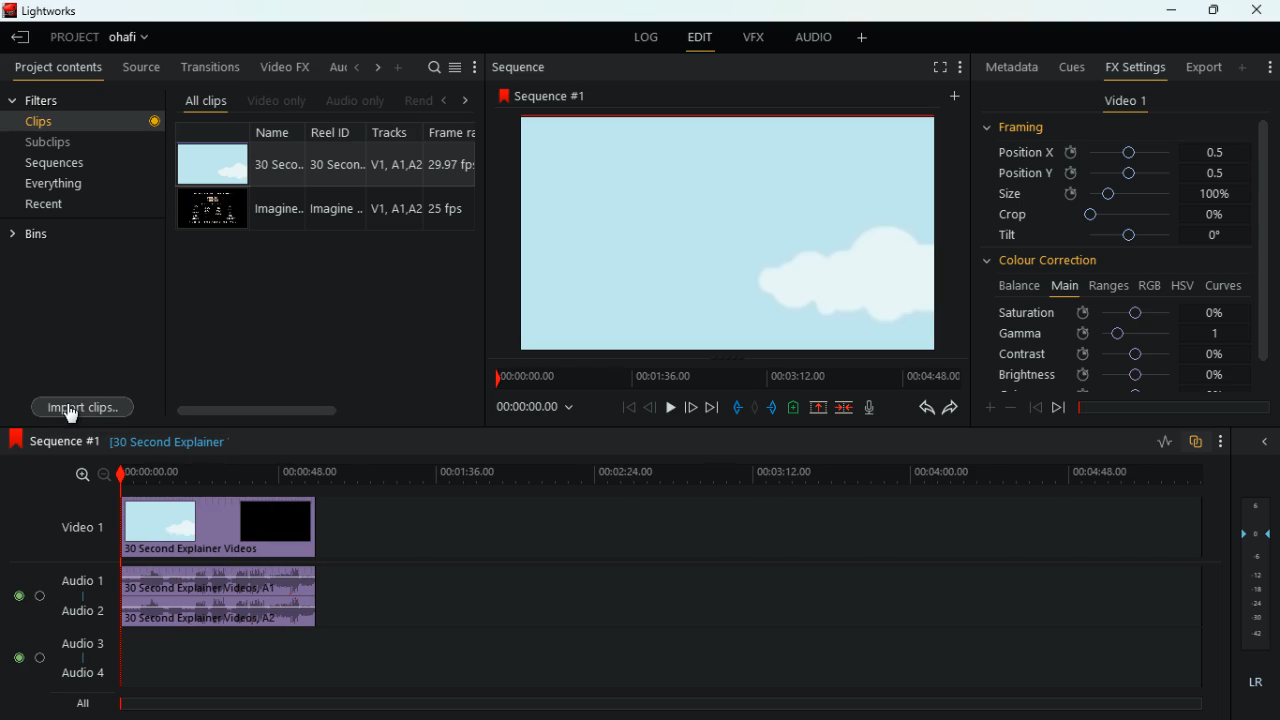  I want to click on audio, so click(810, 38).